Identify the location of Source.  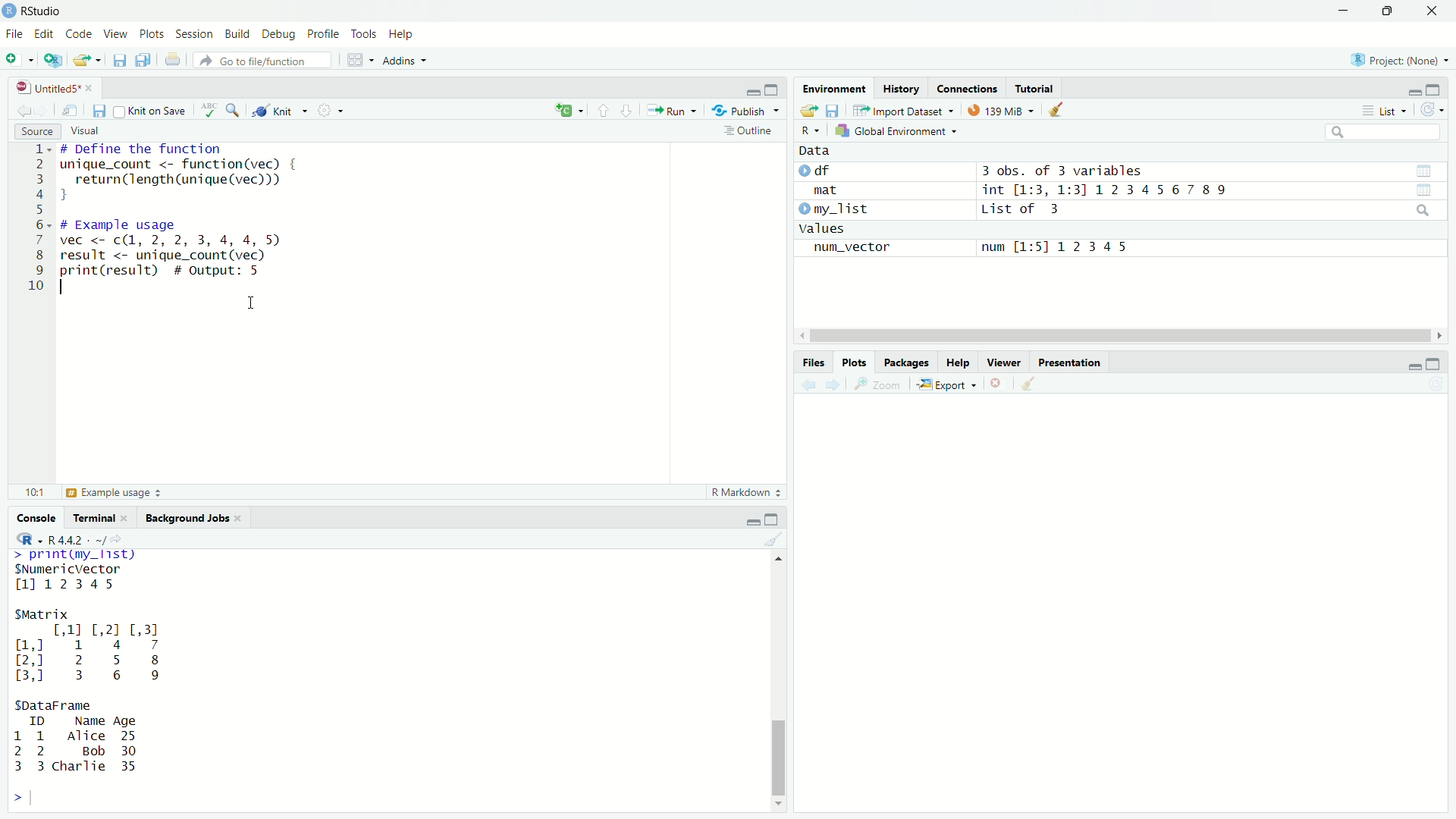
(35, 130).